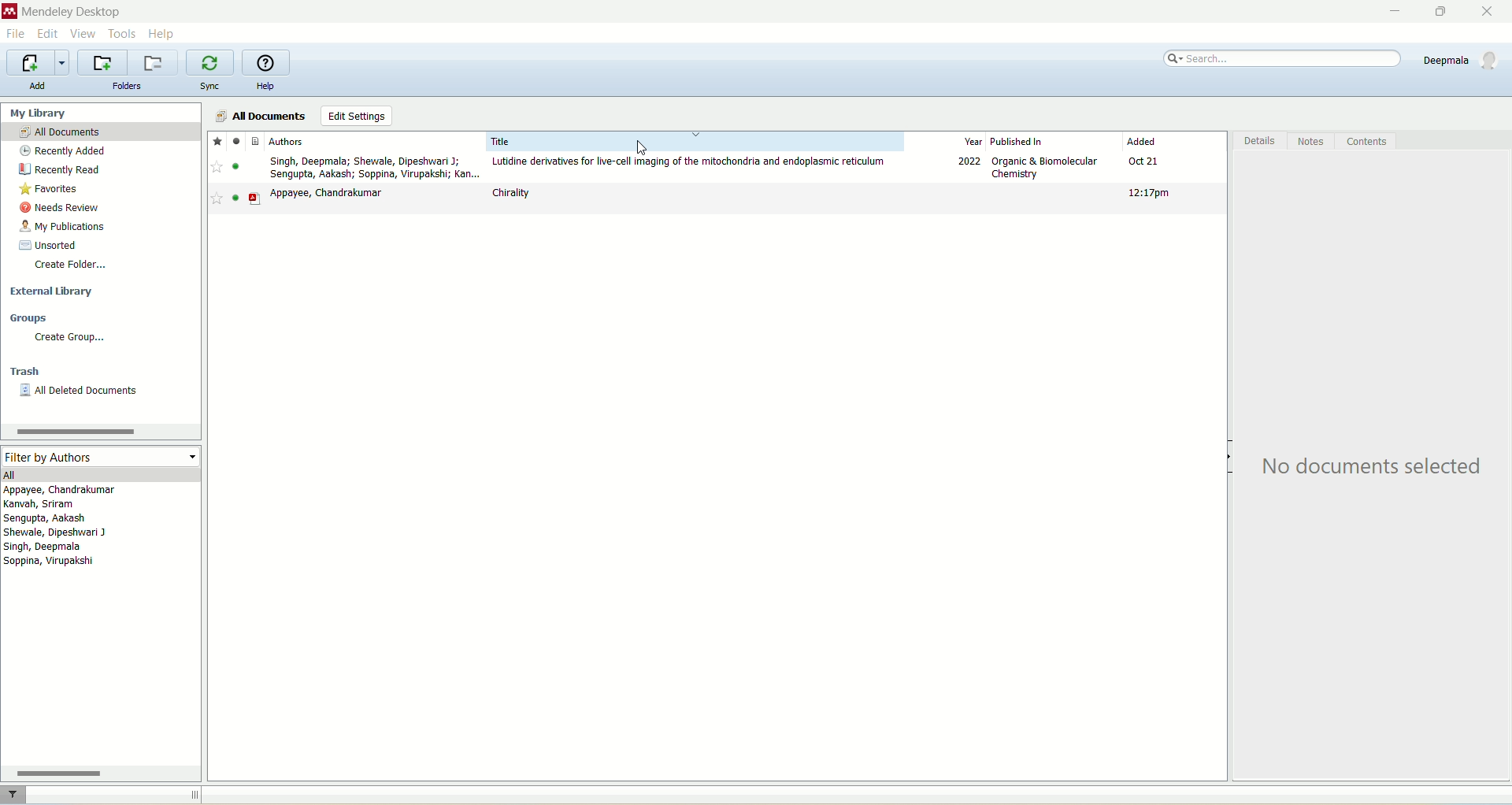 The width and height of the screenshot is (1512, 805). Describe the element at coordinates (1462, 60) in the screenshot. I see `account` at that location.